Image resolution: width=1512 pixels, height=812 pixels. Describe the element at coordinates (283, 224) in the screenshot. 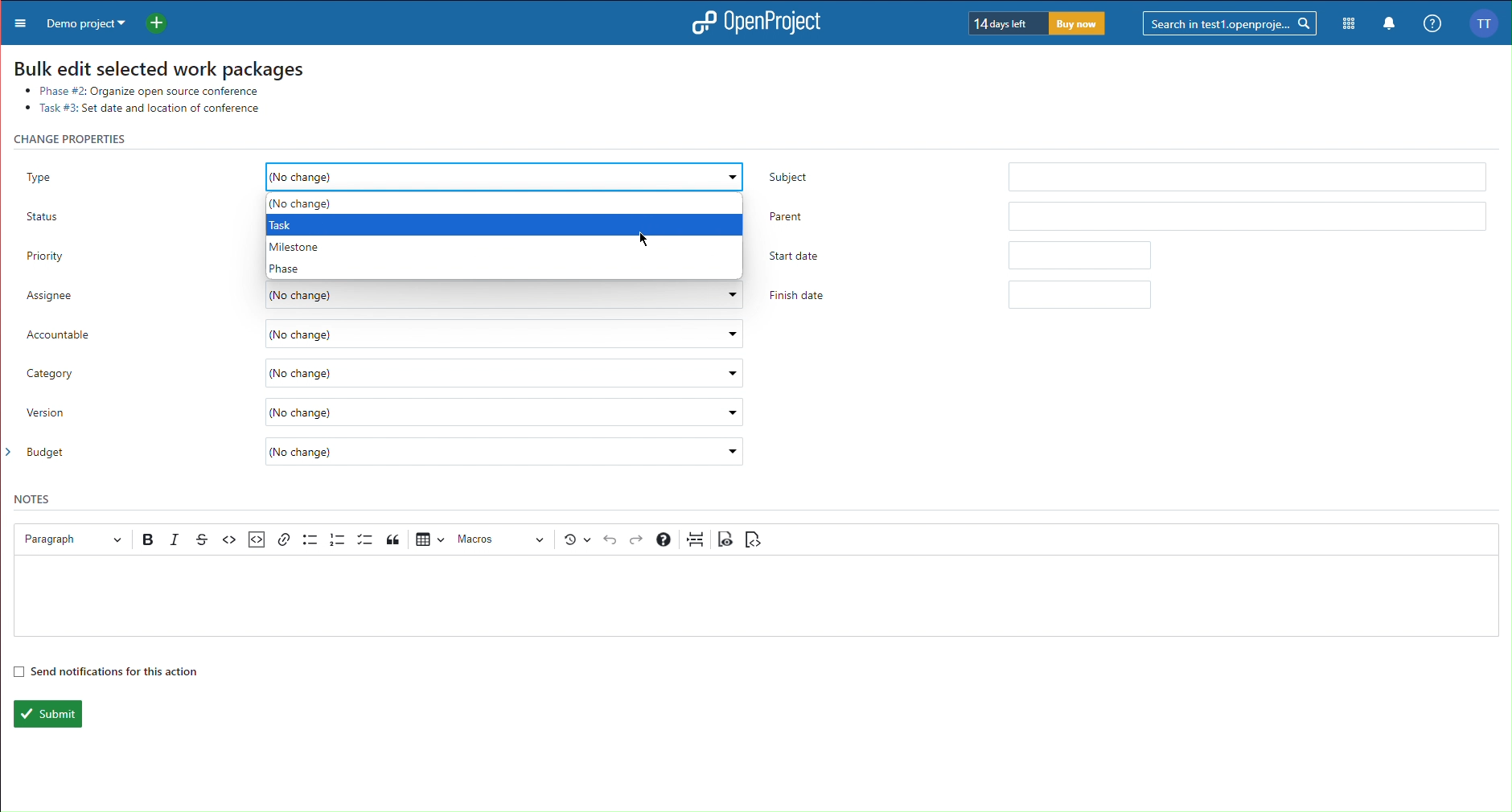

I see `Task` at that location.